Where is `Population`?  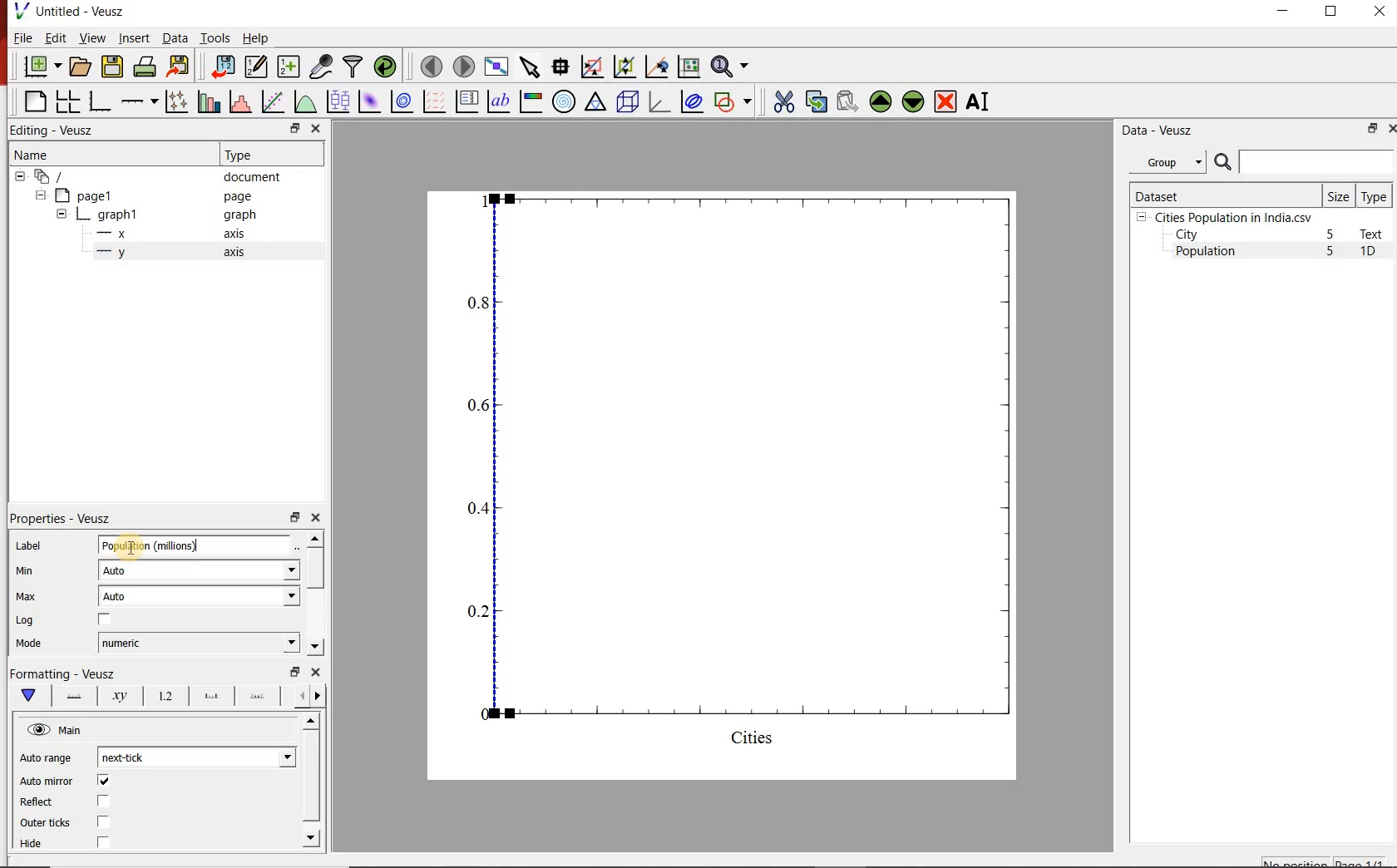
Population is located at coordinates (1206, 253).